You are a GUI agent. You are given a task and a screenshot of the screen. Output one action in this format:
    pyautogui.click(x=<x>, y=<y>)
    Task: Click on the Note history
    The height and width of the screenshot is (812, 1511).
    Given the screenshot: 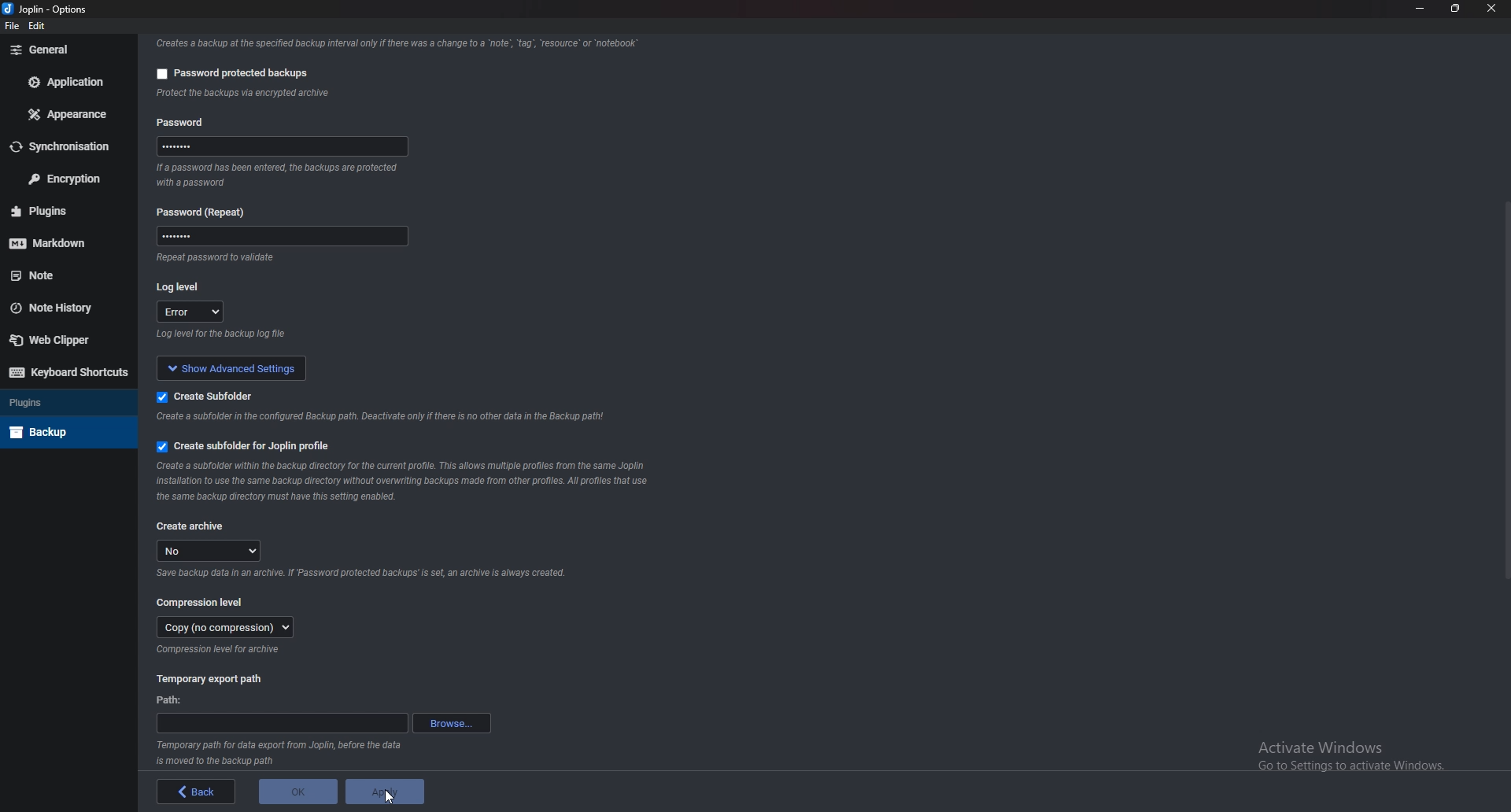 What is the action you would take?
    pyautogui.click(x=65, y=308)
    